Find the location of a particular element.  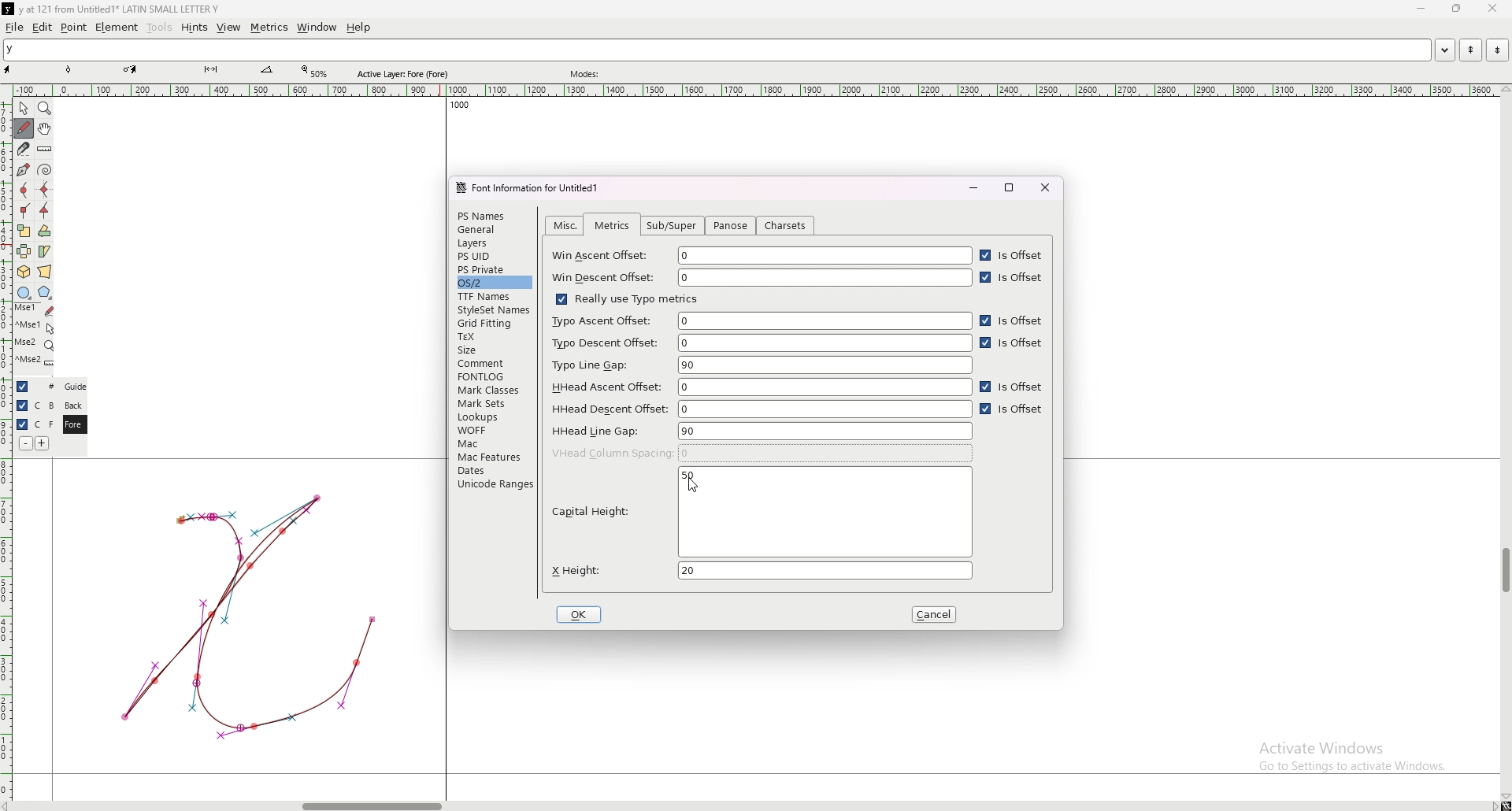

point tool is located at coordinates (69, 69).